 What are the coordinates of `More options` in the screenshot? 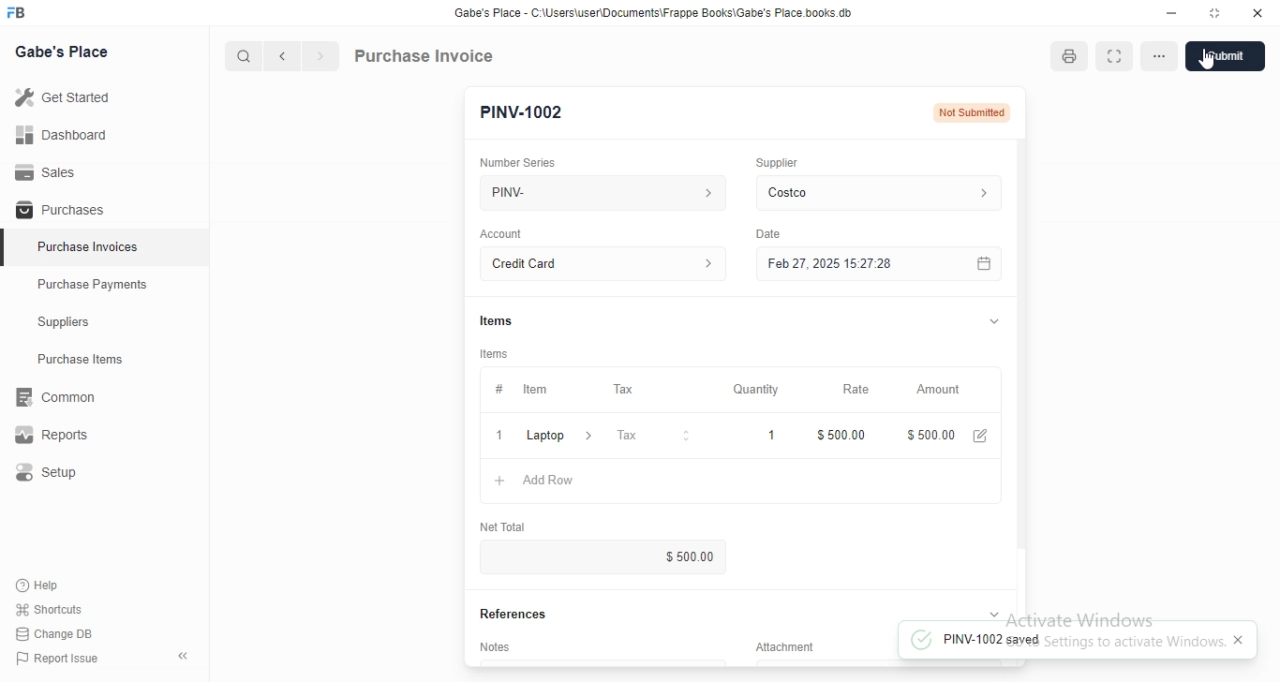 It's located at (1159, 56).